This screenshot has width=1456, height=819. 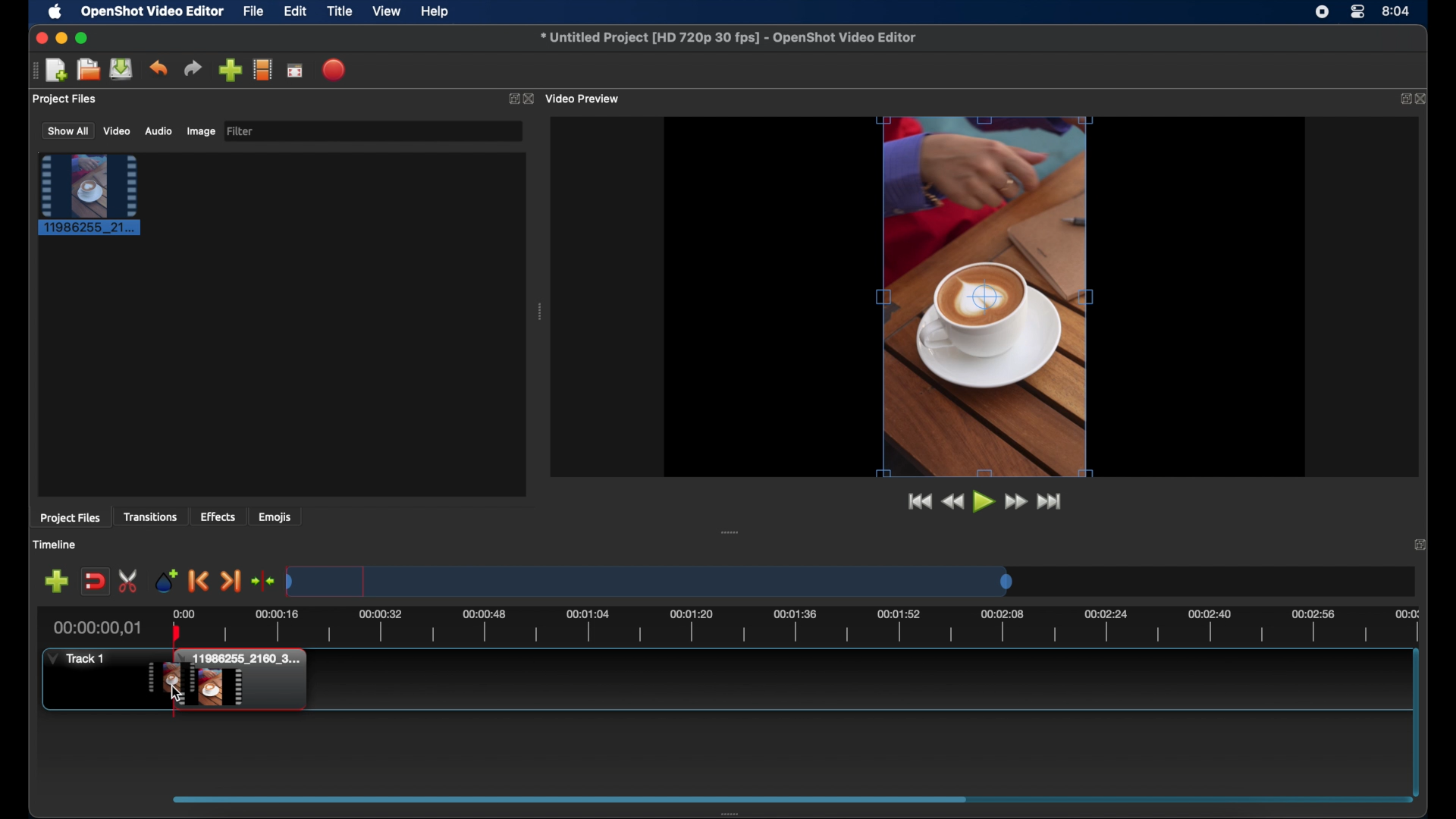 I want to click on cursor, so click(x=179, y=692).